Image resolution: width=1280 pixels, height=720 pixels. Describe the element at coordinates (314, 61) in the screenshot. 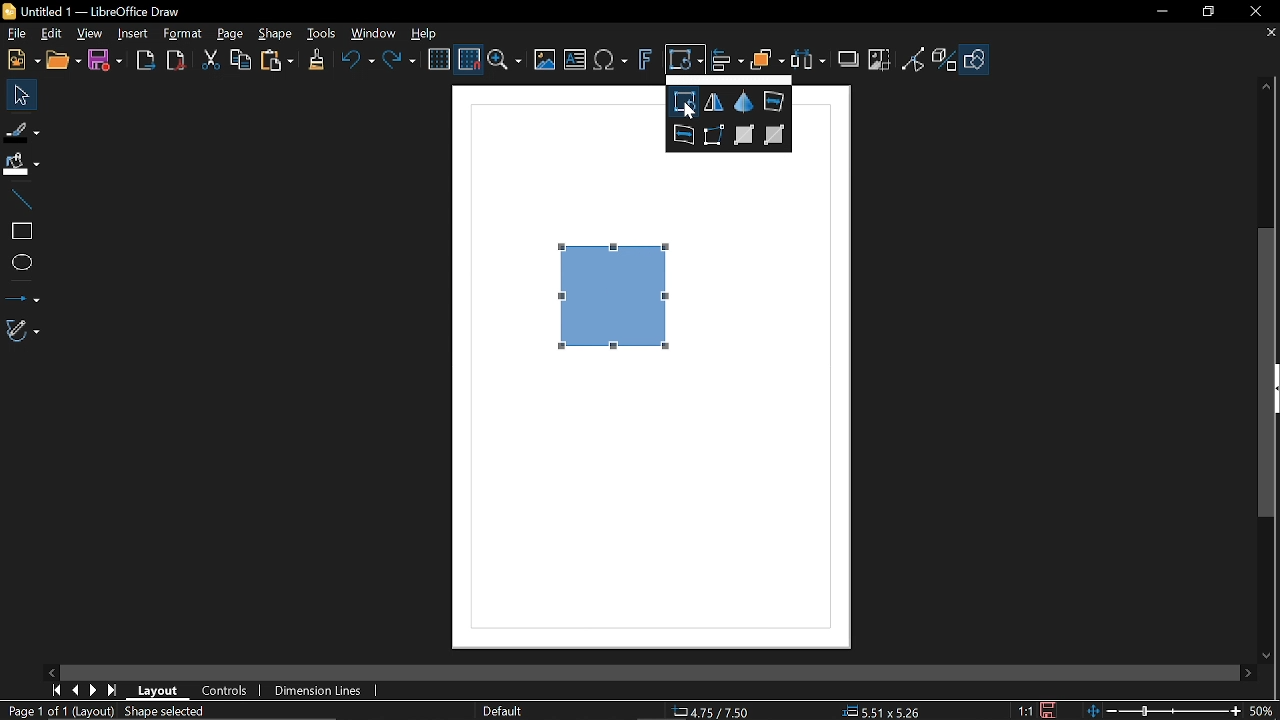

I see `Clone` at that location.